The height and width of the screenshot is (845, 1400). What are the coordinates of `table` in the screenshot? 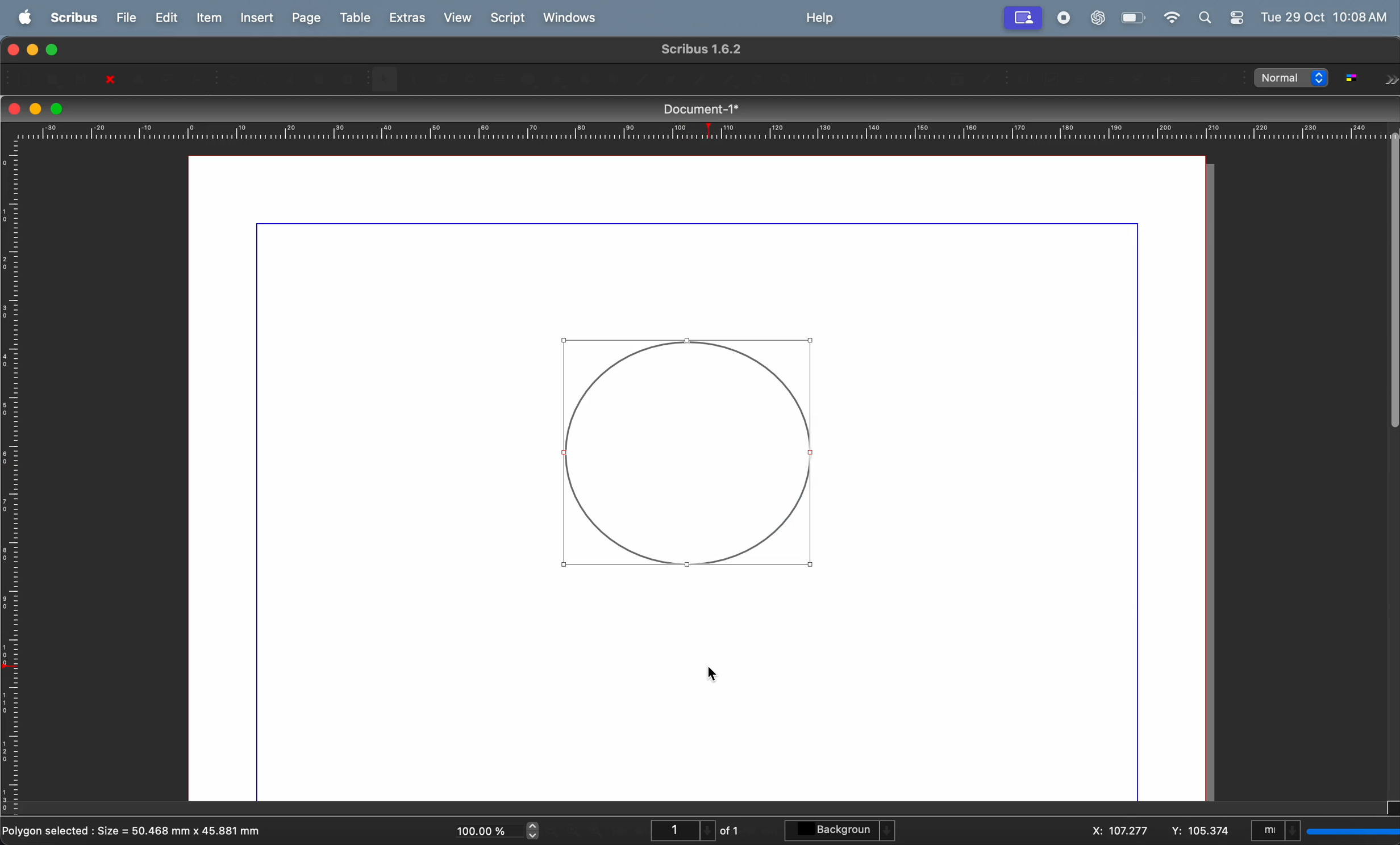 It's located at (353, 17).